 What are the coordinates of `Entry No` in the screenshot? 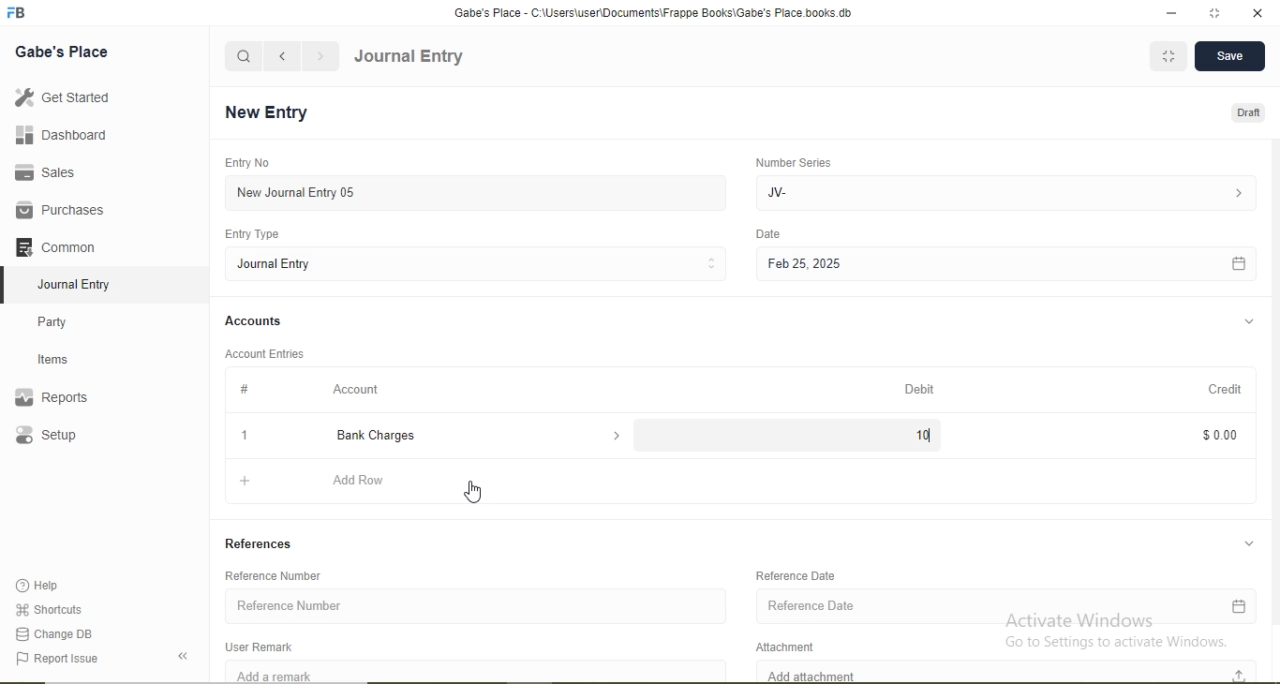 It's located at (244, 162).